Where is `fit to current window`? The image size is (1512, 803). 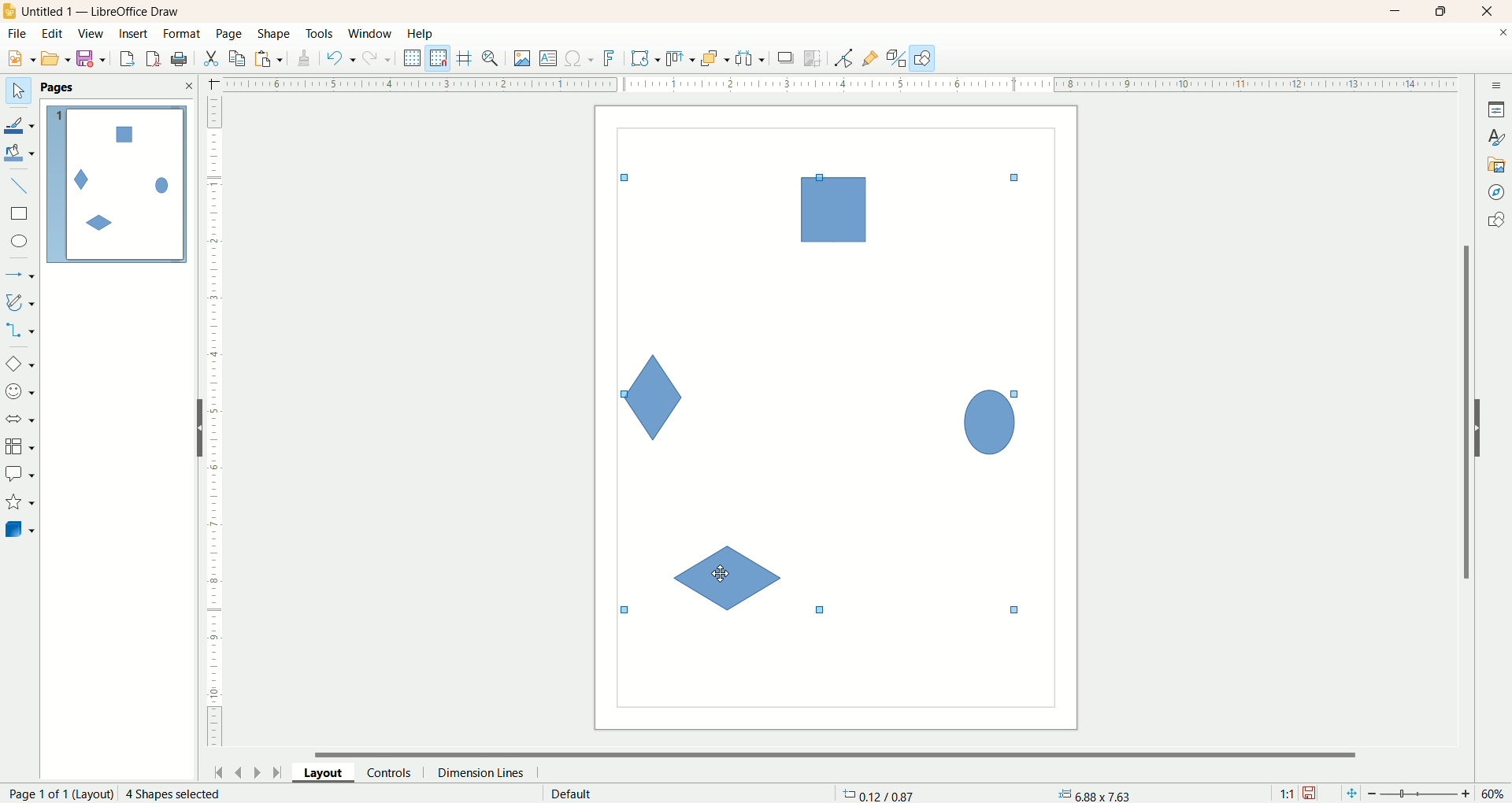 fit to current window is located at coordinates (1350, 794).